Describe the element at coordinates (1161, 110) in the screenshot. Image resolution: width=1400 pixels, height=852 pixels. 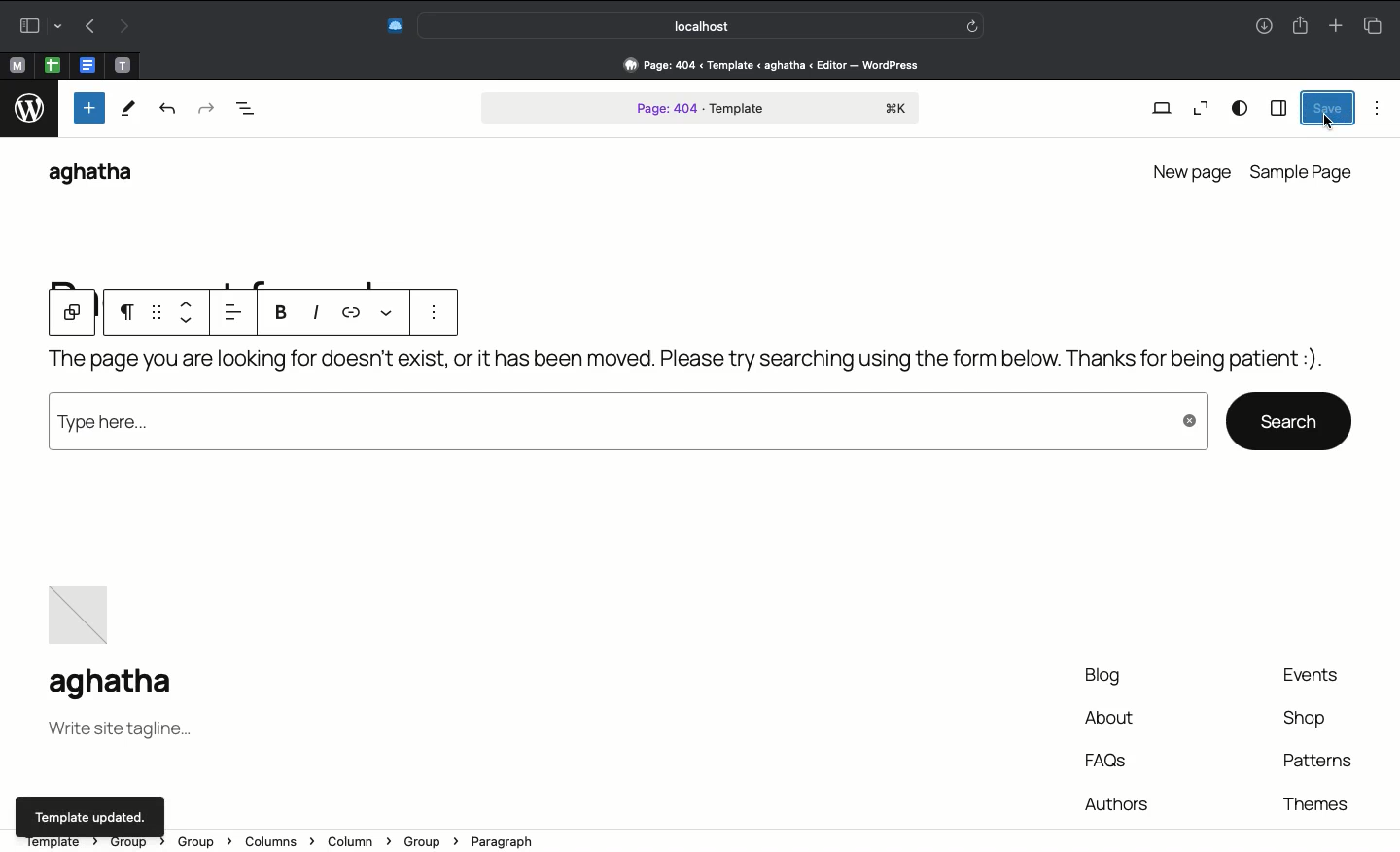
I see `View` at that location.